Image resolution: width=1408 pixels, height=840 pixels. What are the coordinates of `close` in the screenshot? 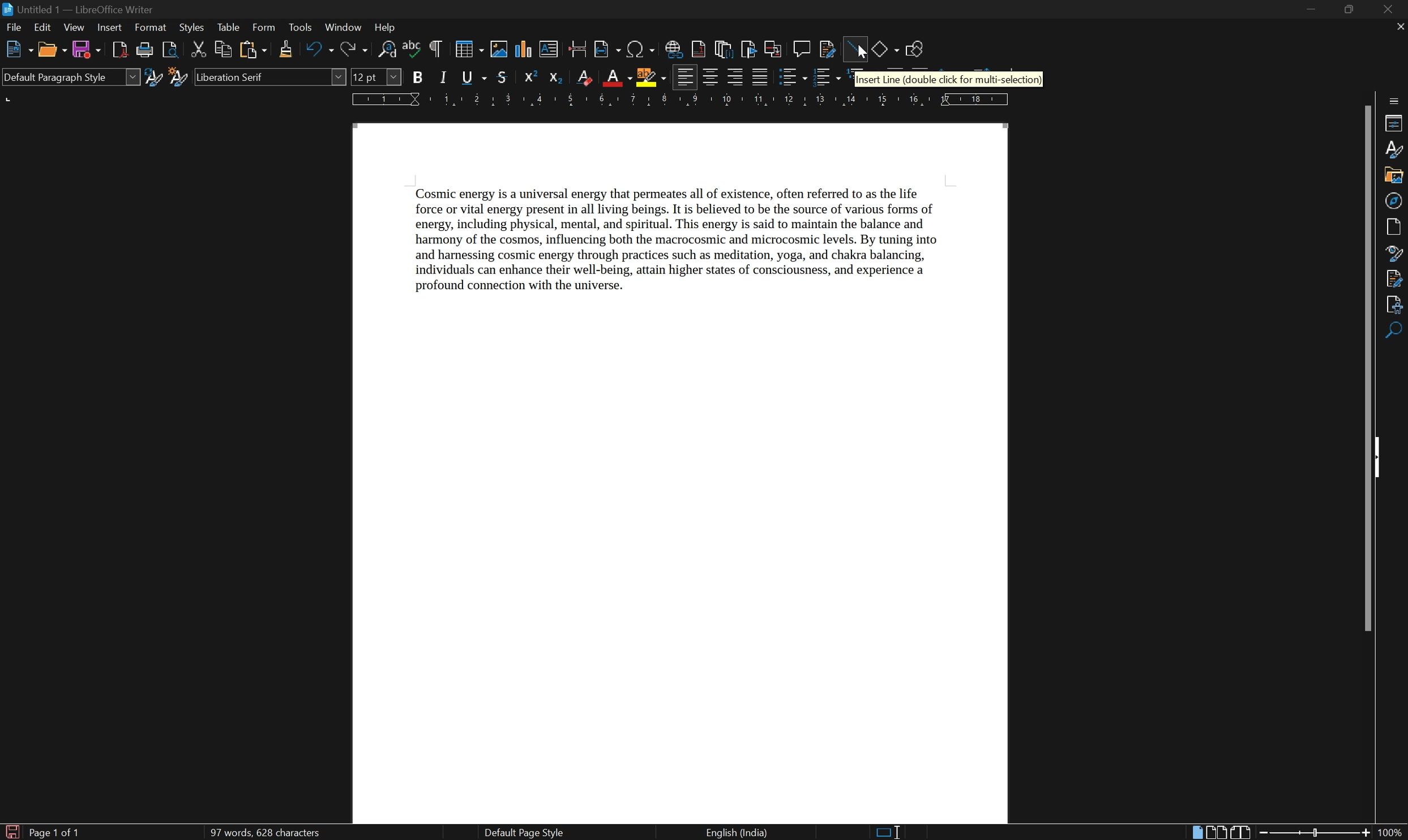 It's located at (1393, 9).